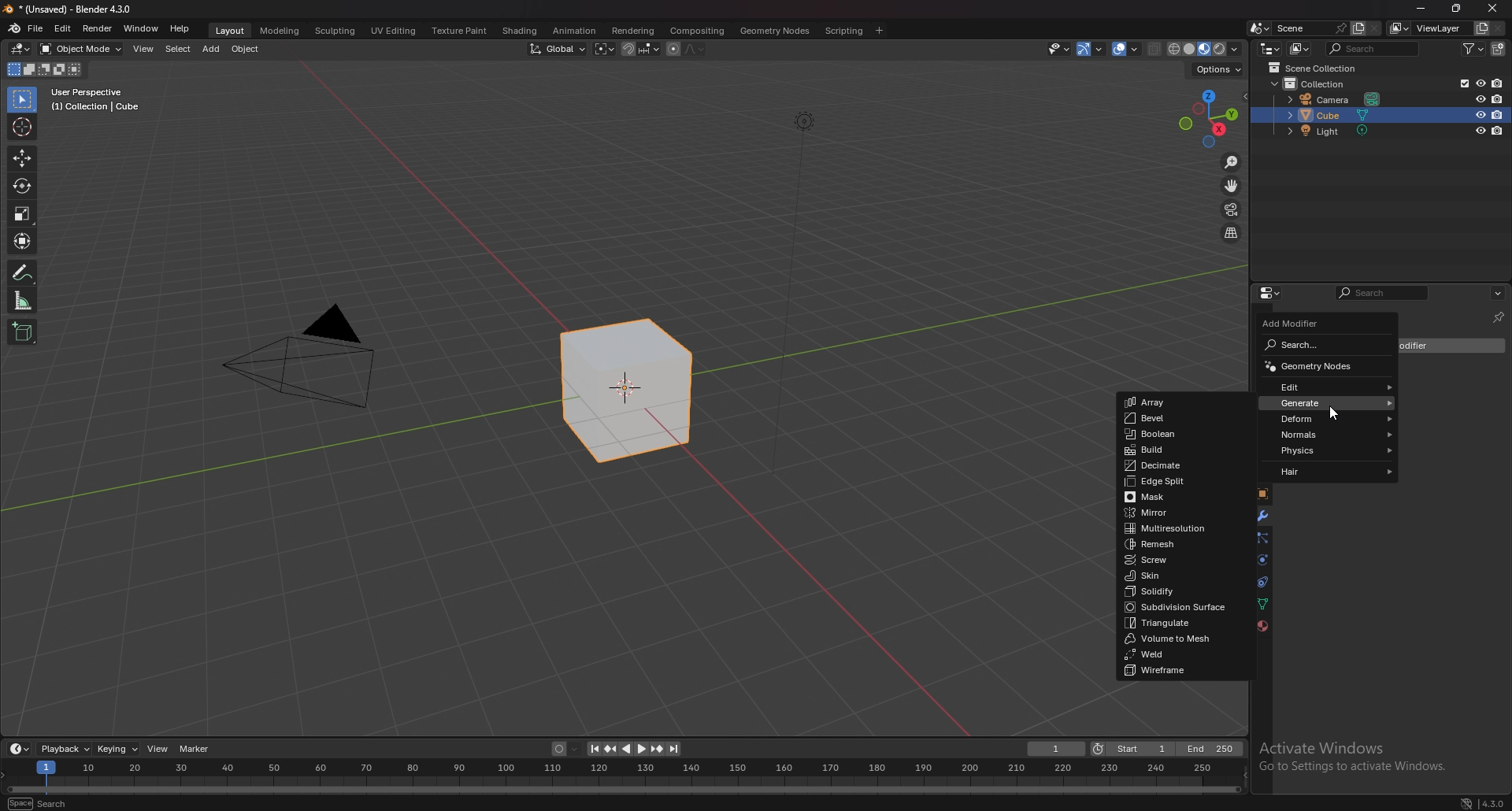 This screenshot has height=811, width=1512. I want to click on edit, so click(1328, 386).